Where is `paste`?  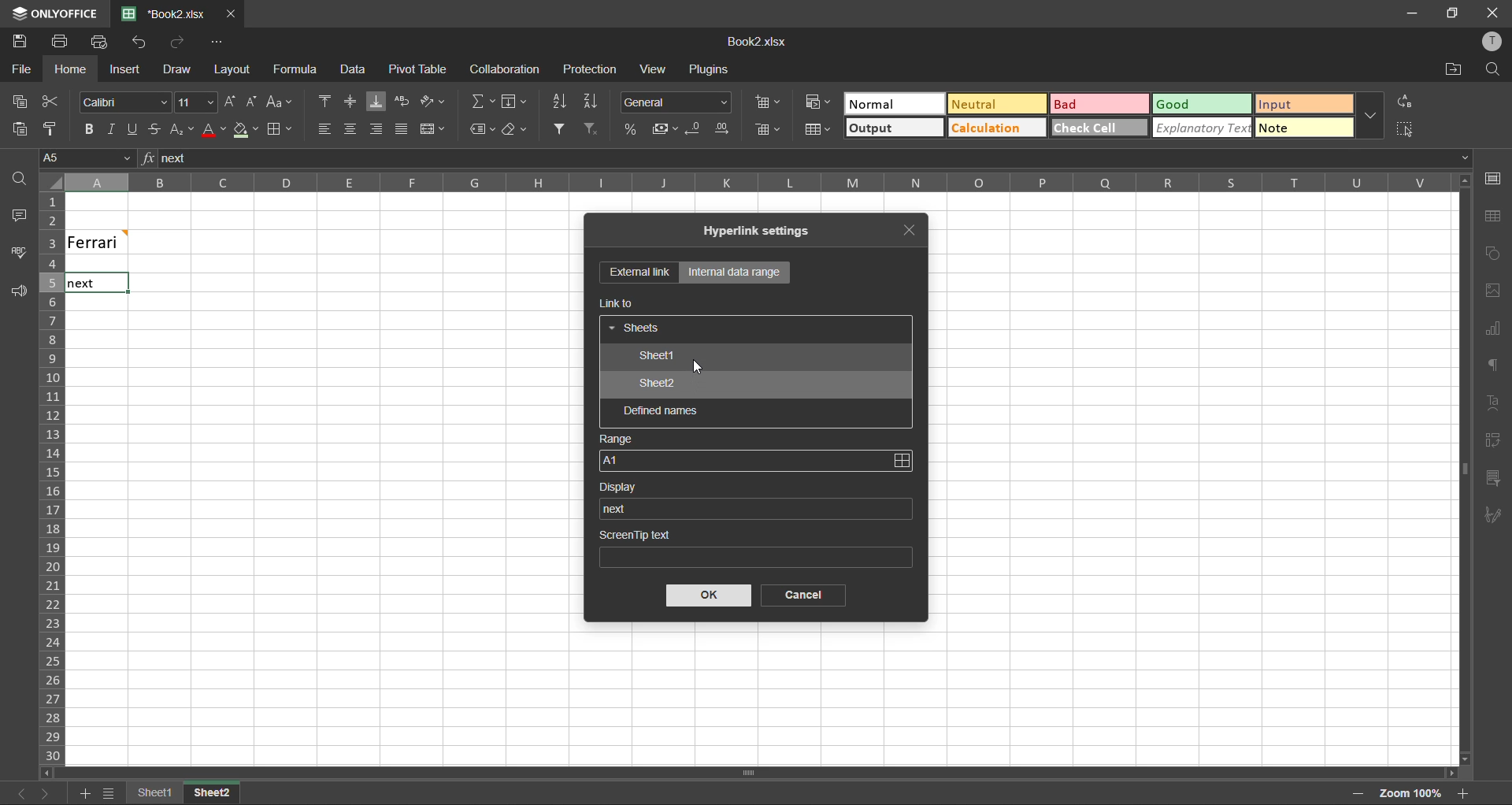 paste is located at coordinates (15, 128).